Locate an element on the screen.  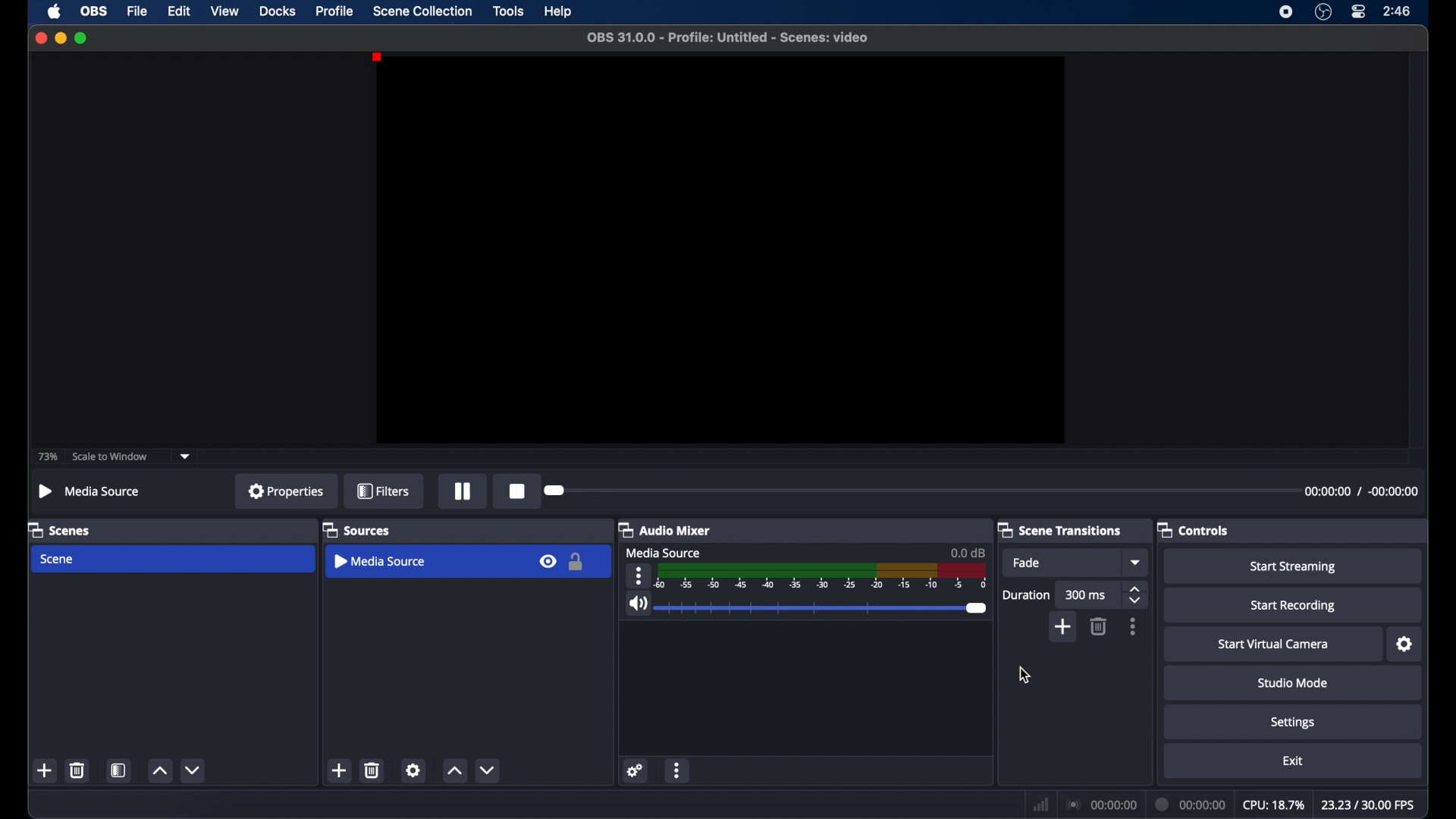
obs is located at coordinates (94, 11).